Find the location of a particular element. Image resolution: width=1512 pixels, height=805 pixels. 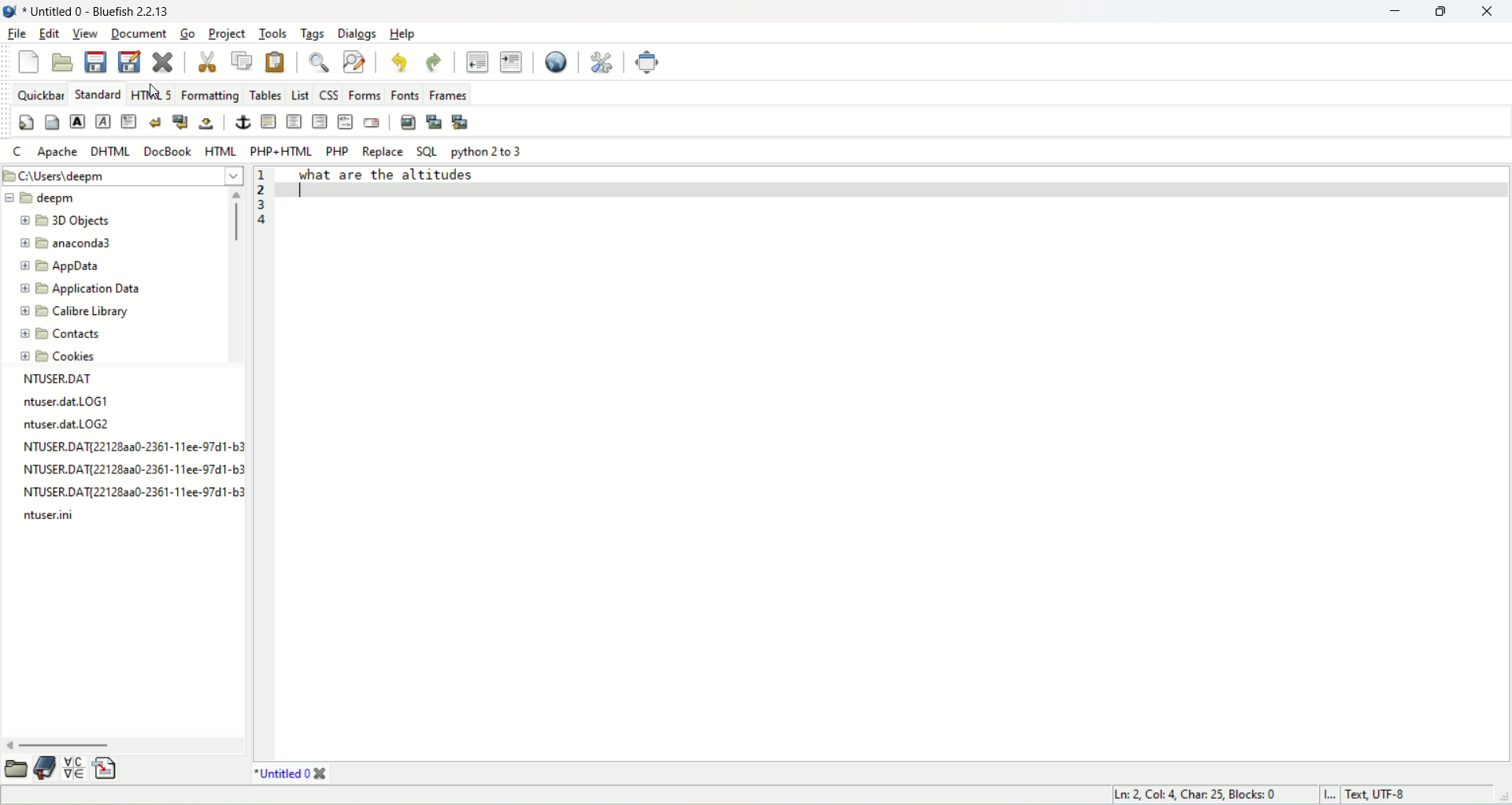

fonts is located at coordinates (403, 93).